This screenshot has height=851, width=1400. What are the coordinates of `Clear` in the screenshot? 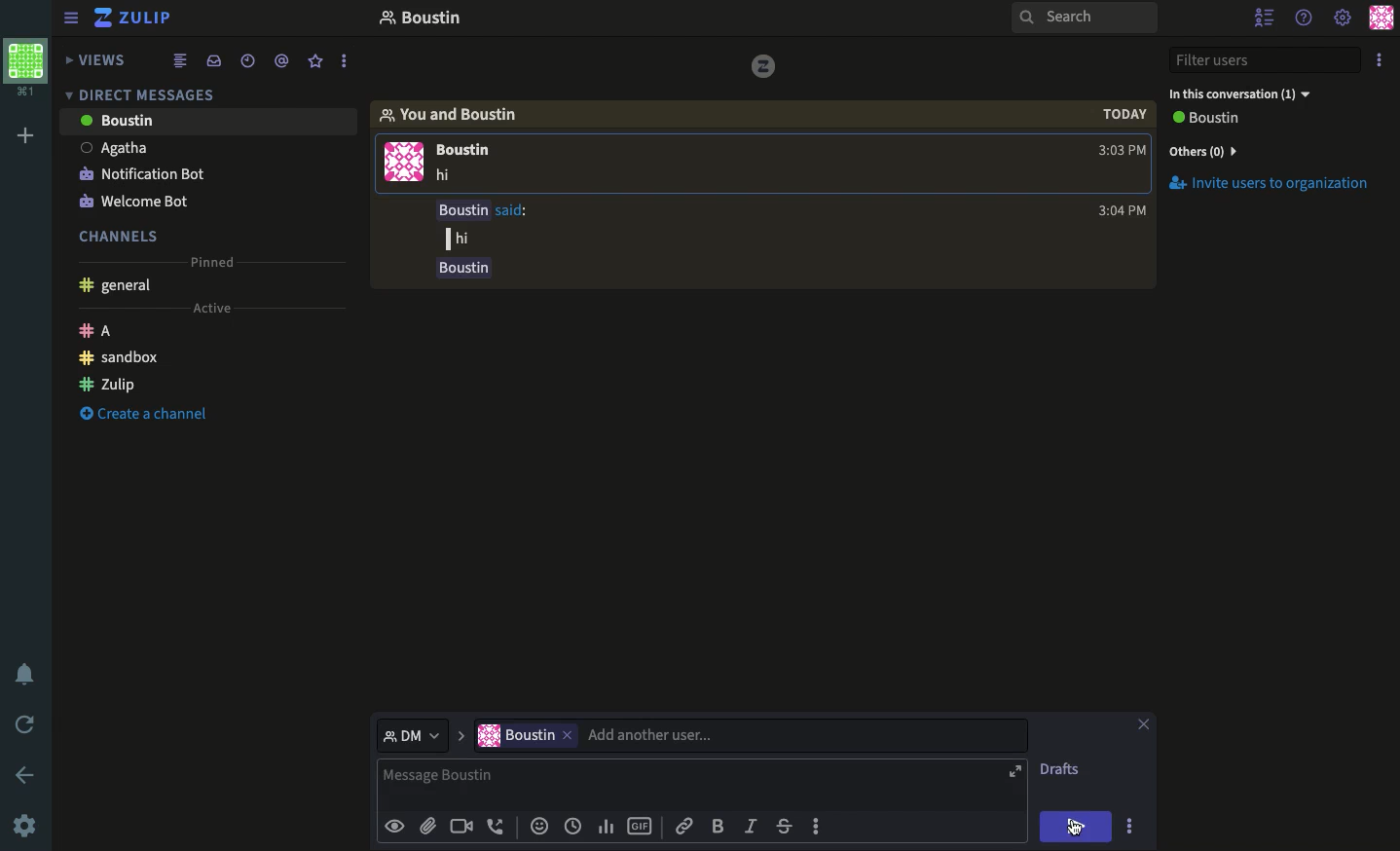 It's located at (1145, 726).